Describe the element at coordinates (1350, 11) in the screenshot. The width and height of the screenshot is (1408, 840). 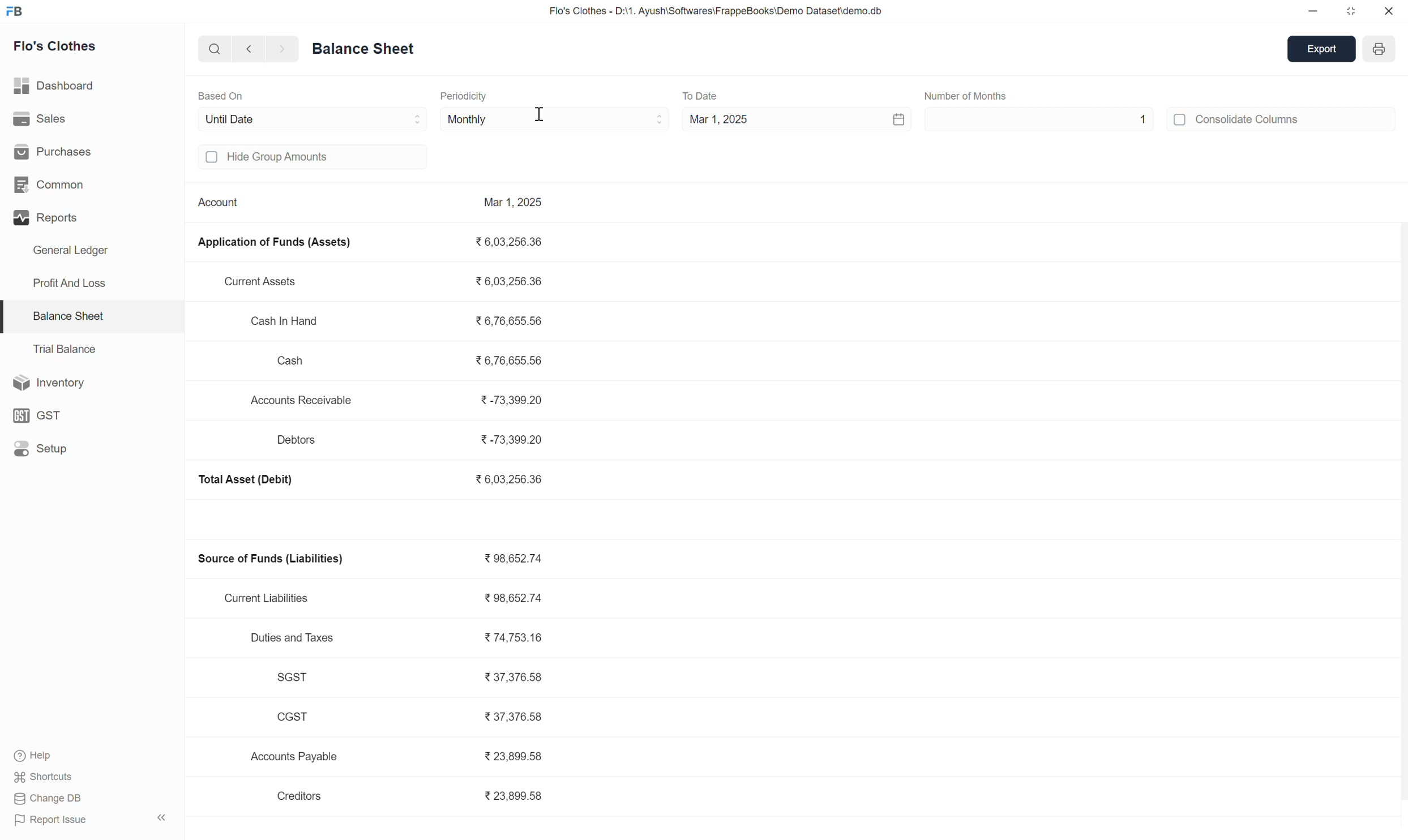
I see `maximize` at that location.